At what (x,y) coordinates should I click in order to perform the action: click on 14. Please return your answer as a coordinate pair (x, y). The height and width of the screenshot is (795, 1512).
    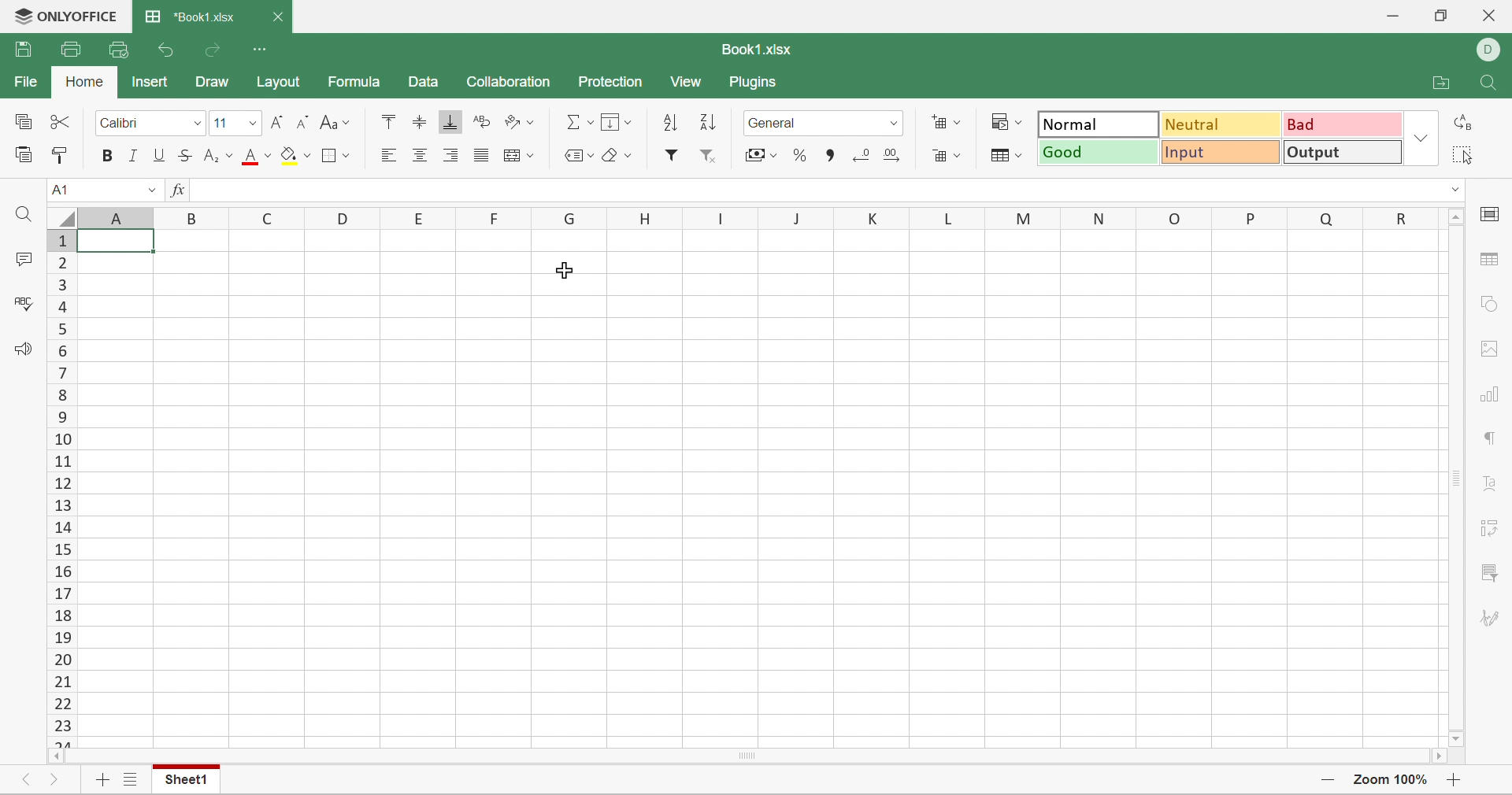
    Looking at the image, I should click on (62, 528).